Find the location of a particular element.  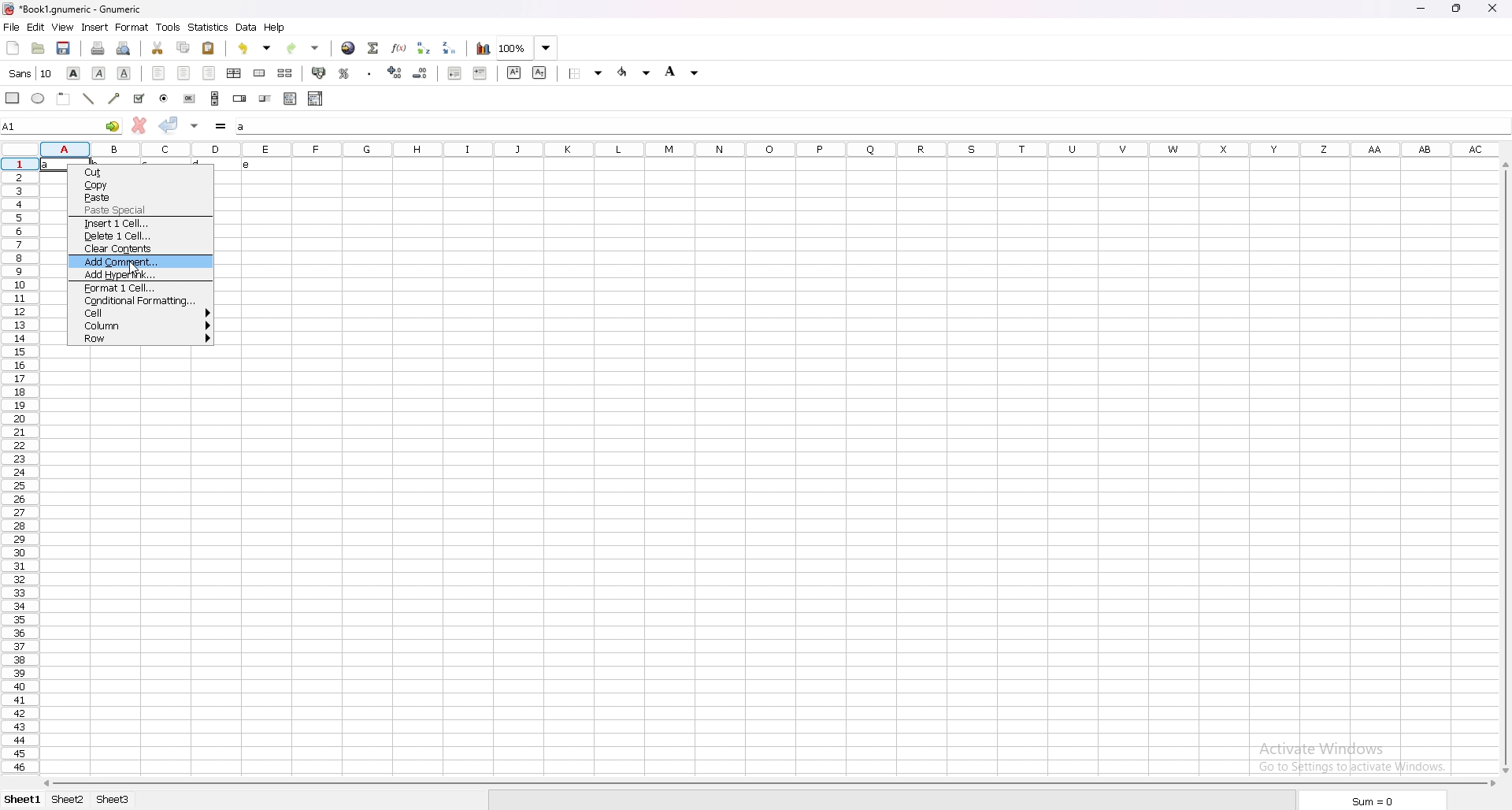

resize is located at coordinates (1455, 9).